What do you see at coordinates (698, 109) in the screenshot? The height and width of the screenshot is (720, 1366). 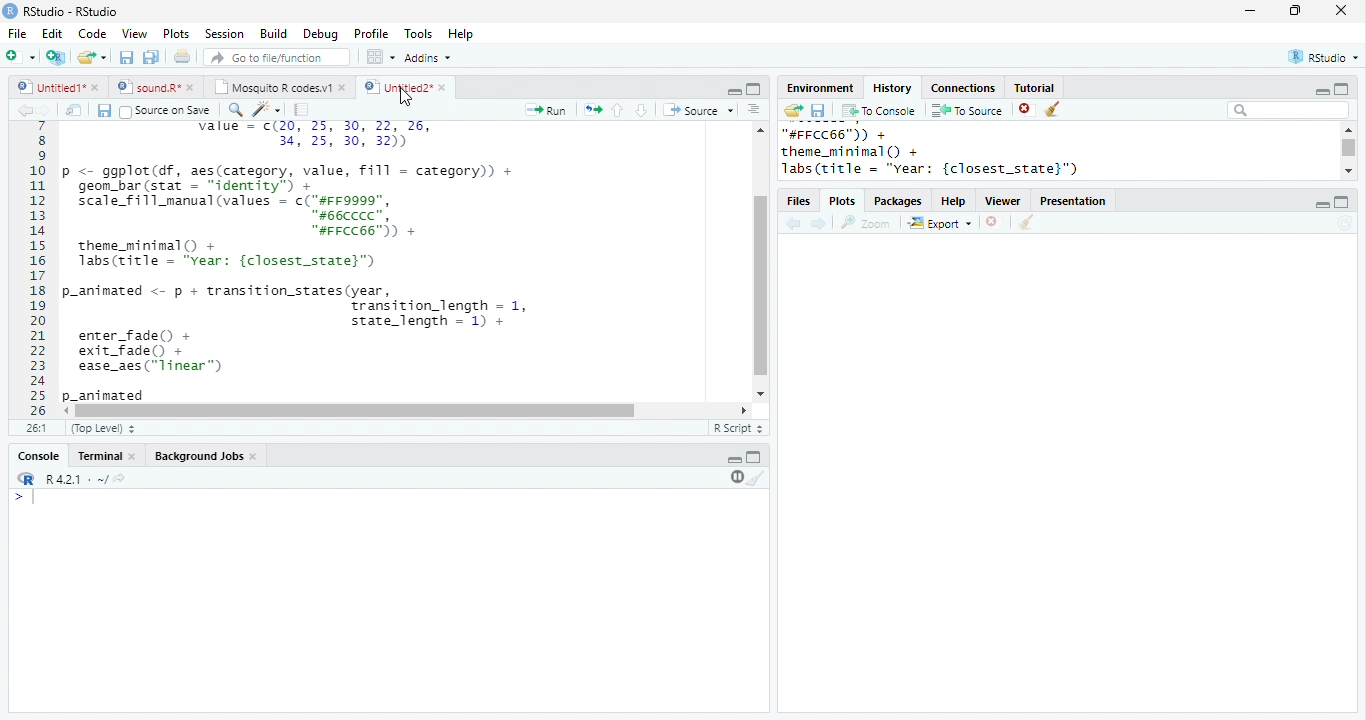 I see `Source` at bounding box center [698, 109].